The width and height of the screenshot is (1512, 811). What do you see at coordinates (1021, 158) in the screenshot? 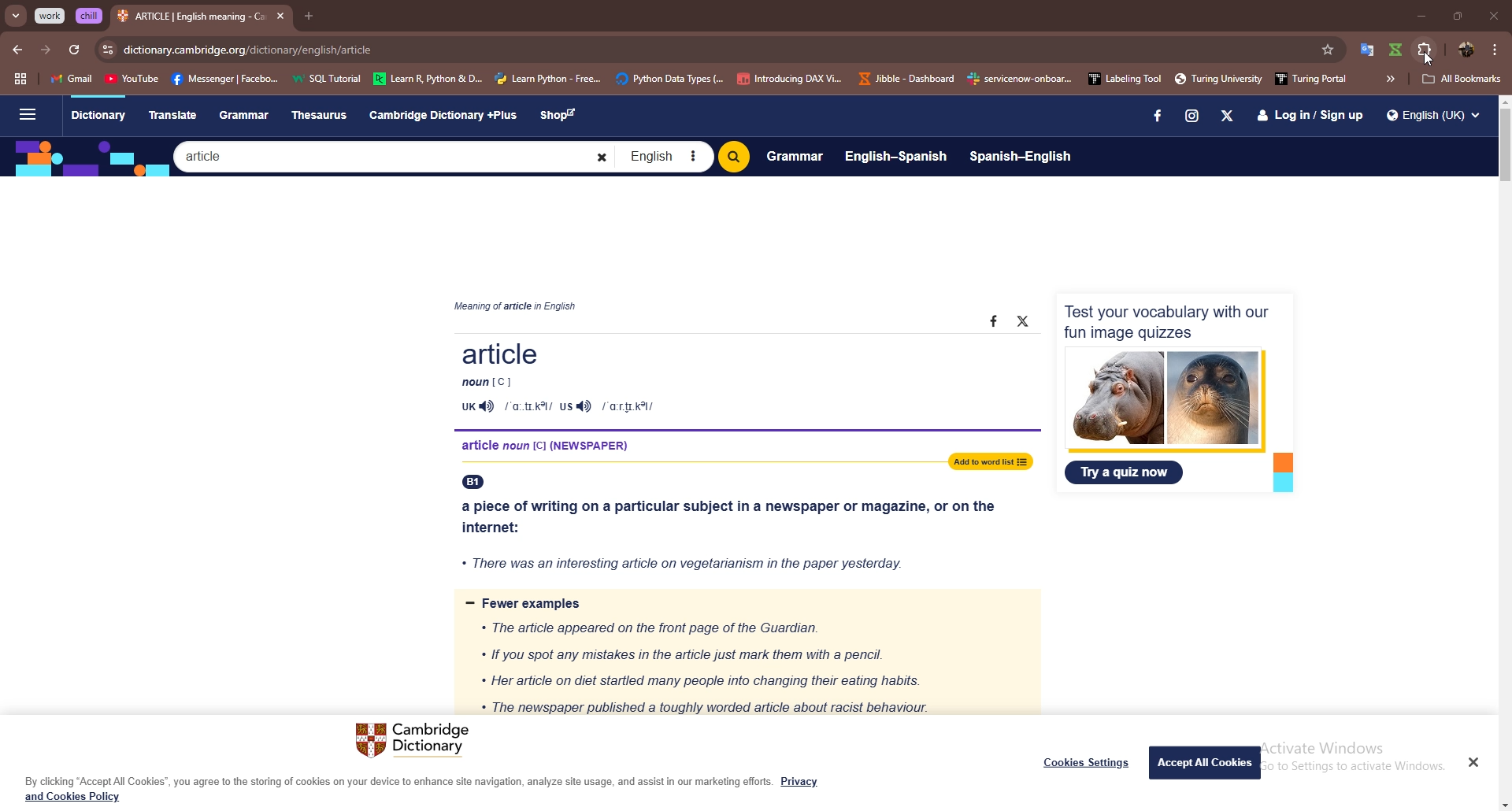
I see `Spanish-English` at bounding box center [1021, 158].